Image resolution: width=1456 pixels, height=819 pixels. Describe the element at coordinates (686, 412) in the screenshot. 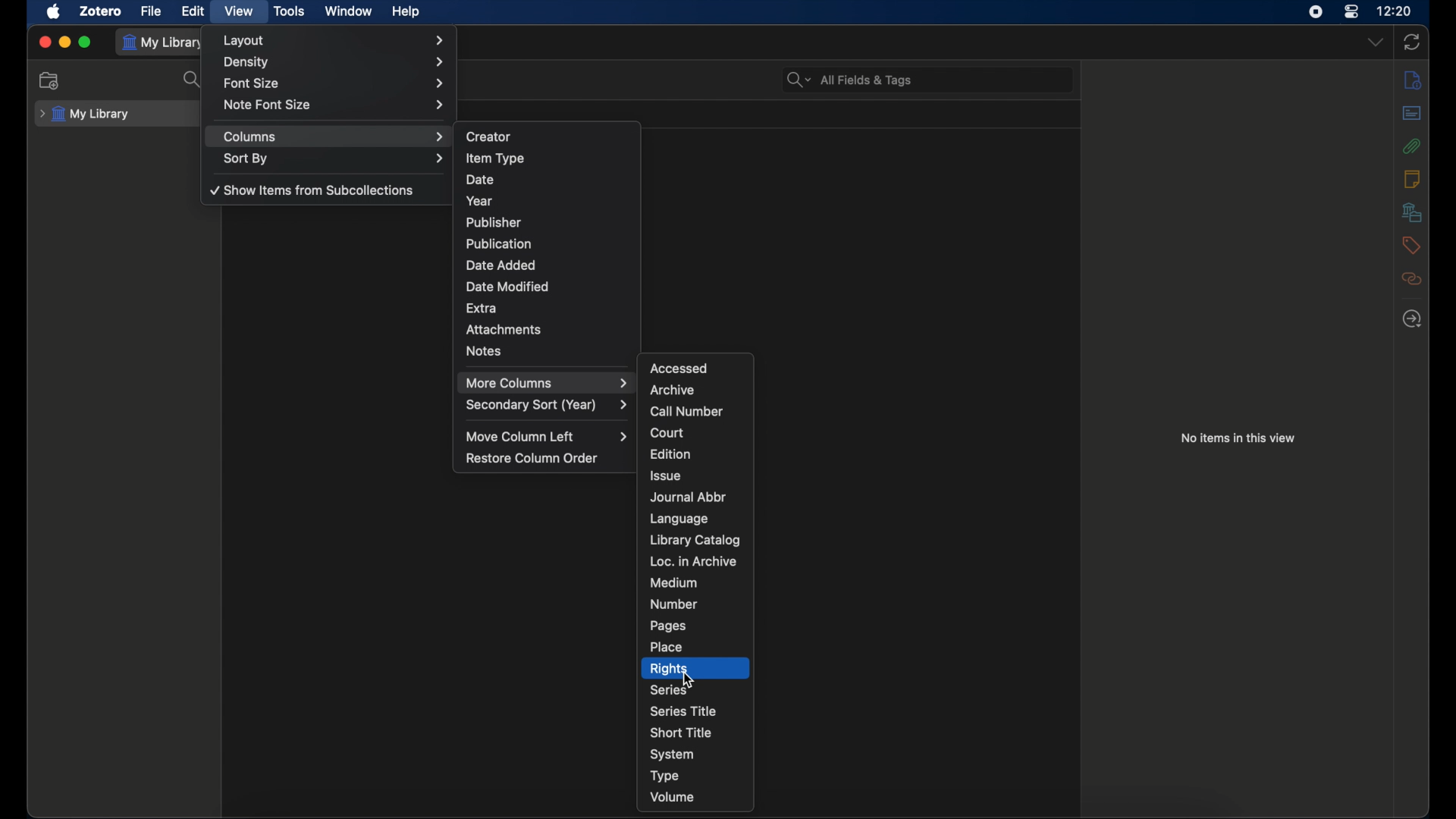

I see `call number` at that location.